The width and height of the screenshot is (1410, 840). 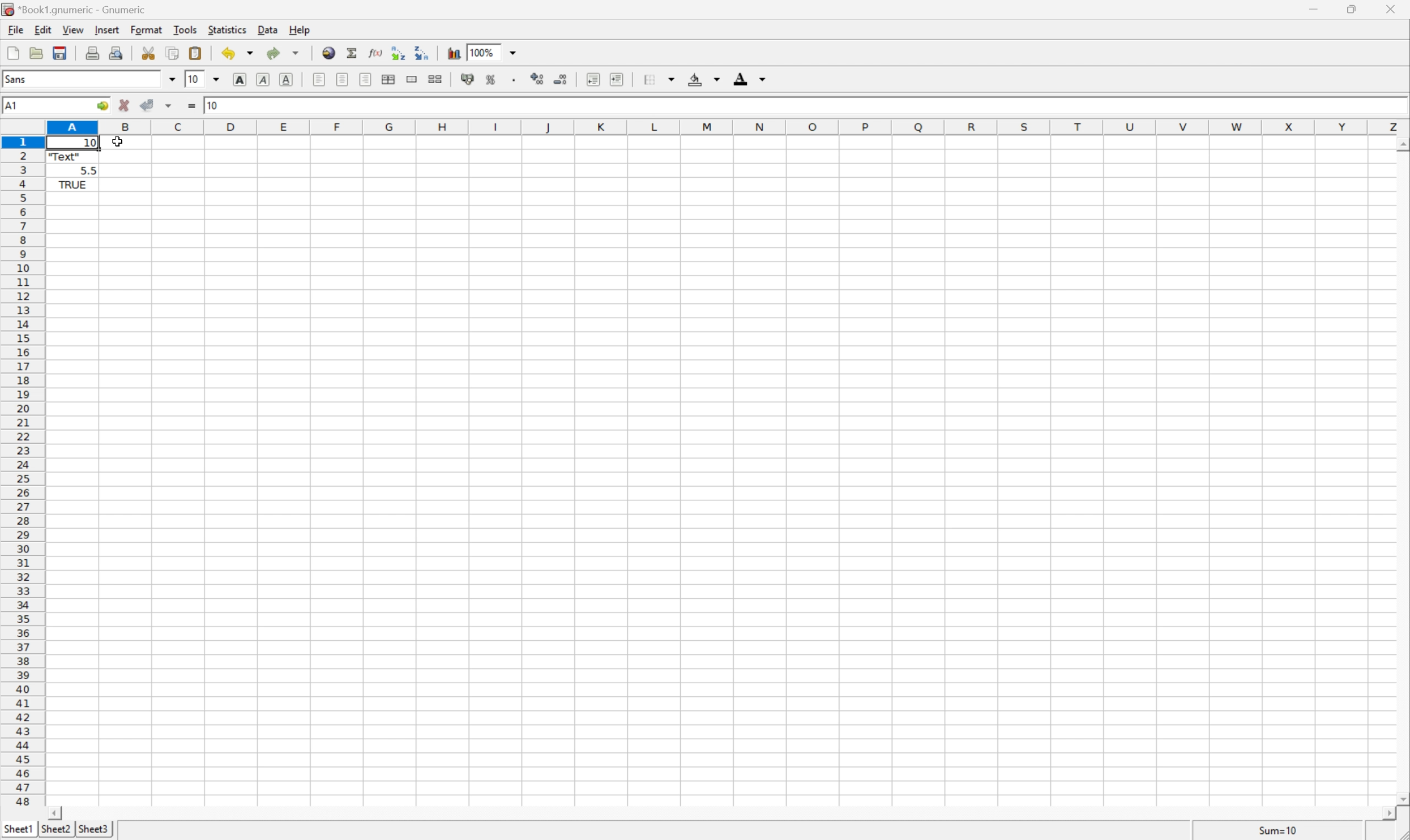 I want to click on Sheet1, so click(x=17, y=830).